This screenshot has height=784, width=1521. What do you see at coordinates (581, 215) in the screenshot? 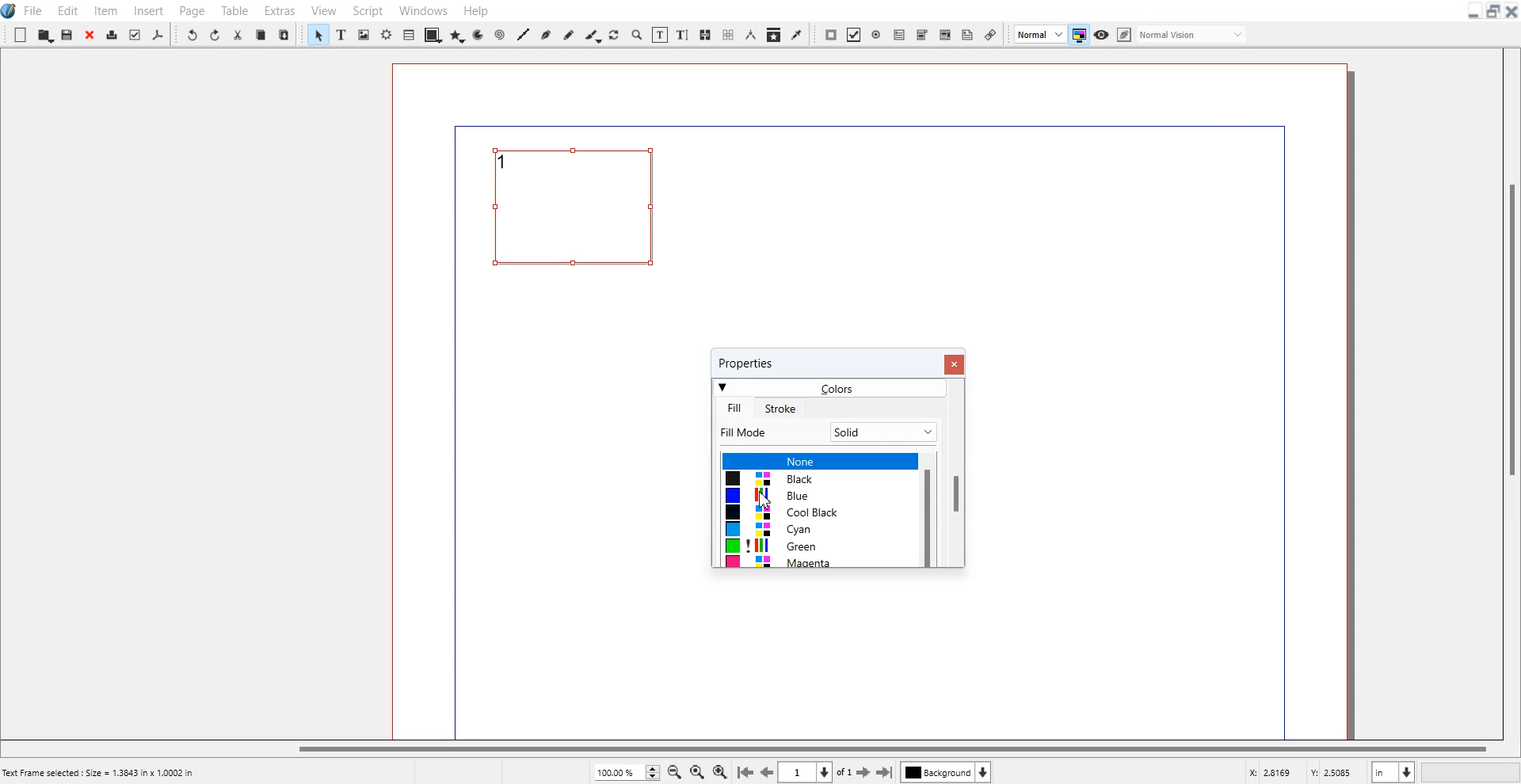
I see `Text Frame` at bounding box center [581, 215].